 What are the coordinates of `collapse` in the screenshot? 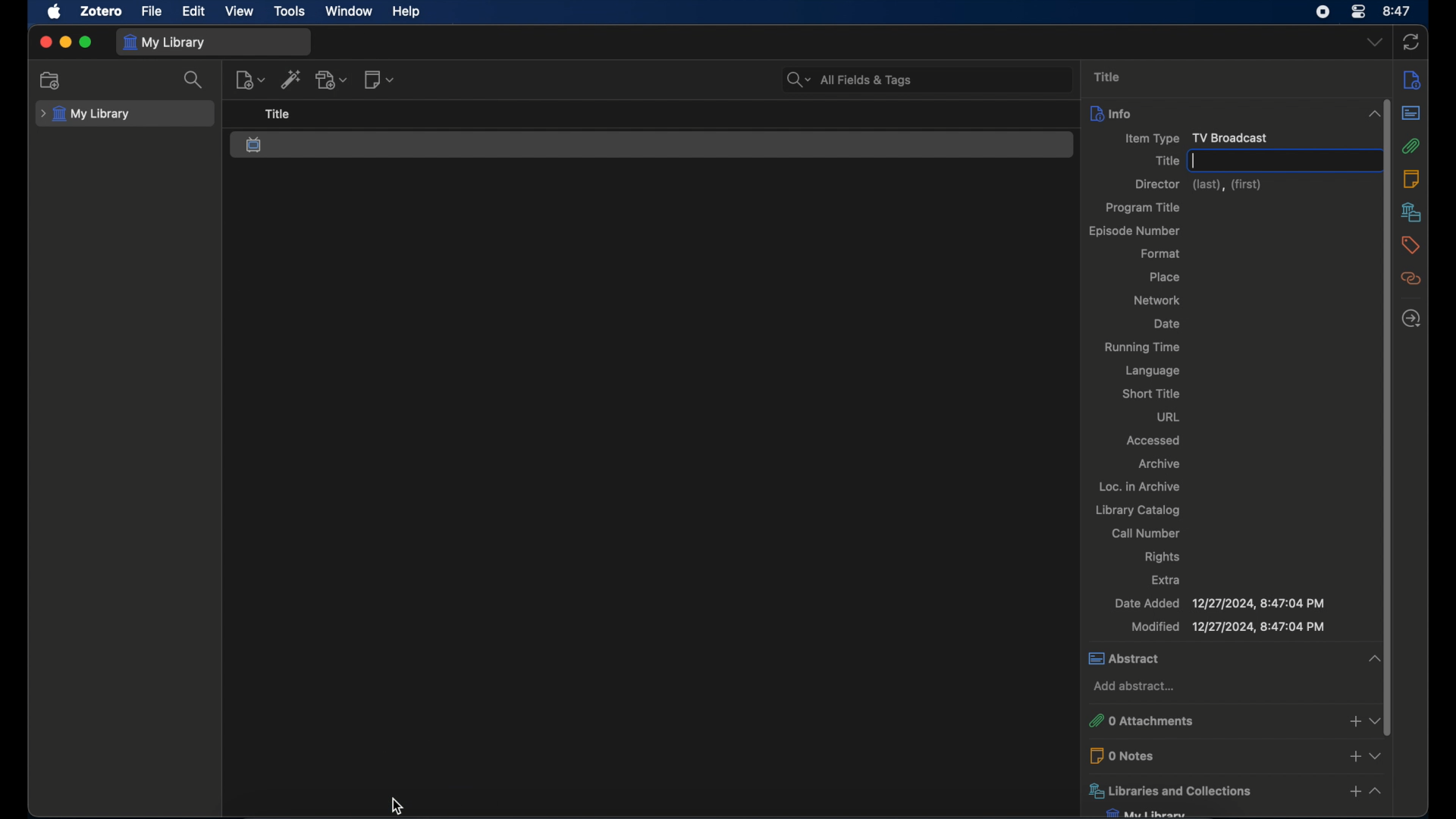 It's located at (1376, 111).